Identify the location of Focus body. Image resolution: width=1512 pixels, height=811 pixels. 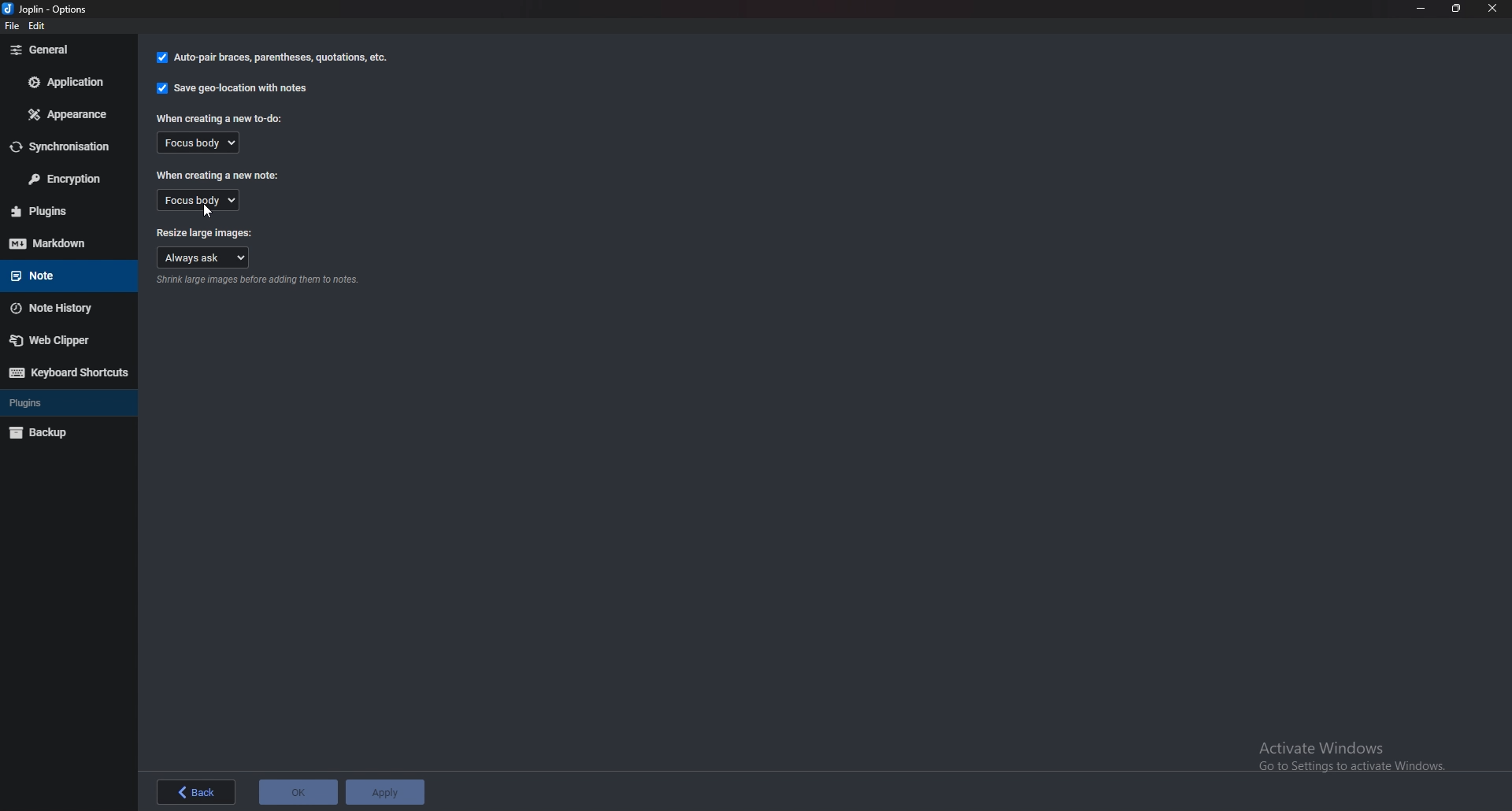
(198, 200).